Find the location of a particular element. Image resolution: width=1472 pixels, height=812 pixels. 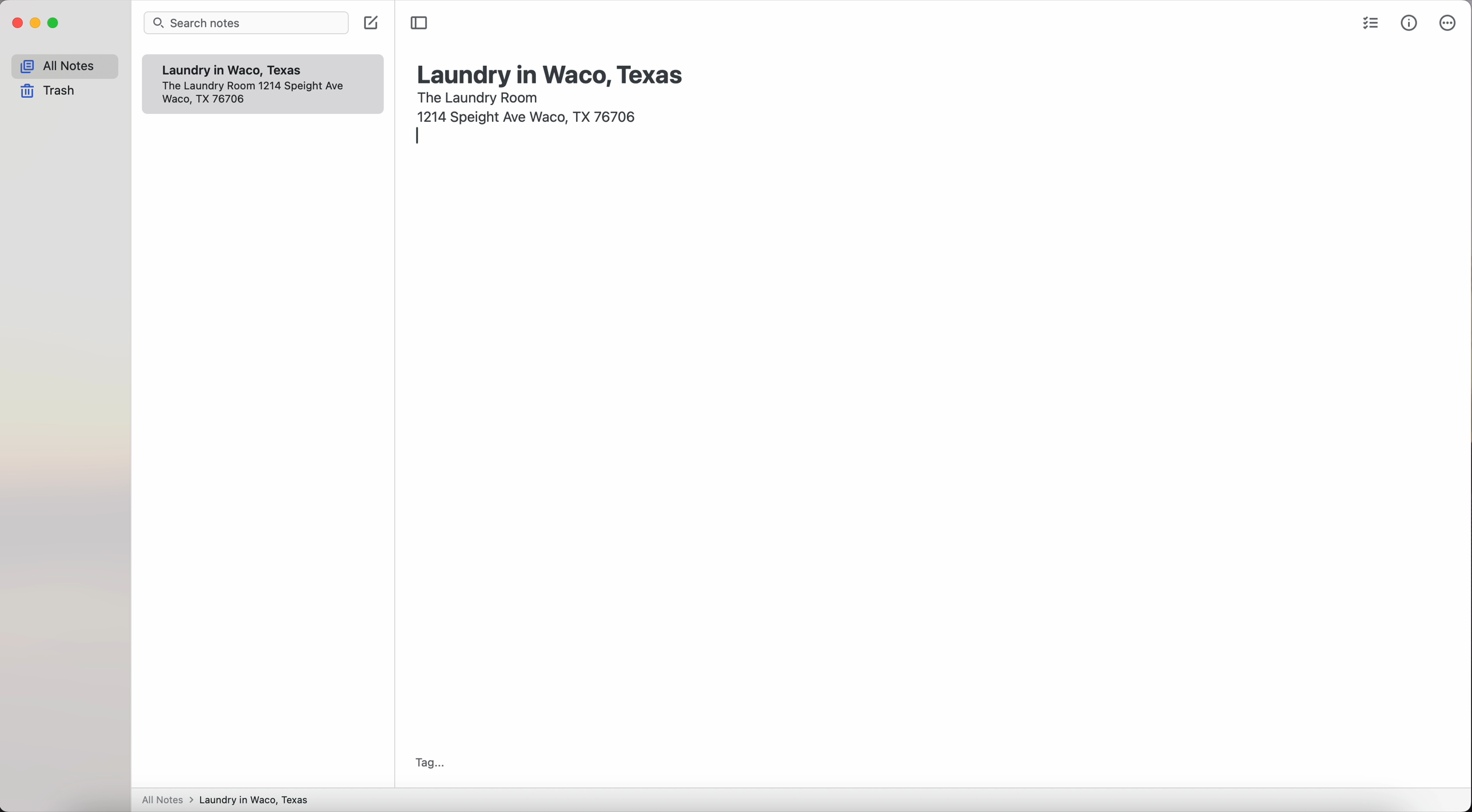

laundry in Waco, Texas is located at coordinates (552, 70).